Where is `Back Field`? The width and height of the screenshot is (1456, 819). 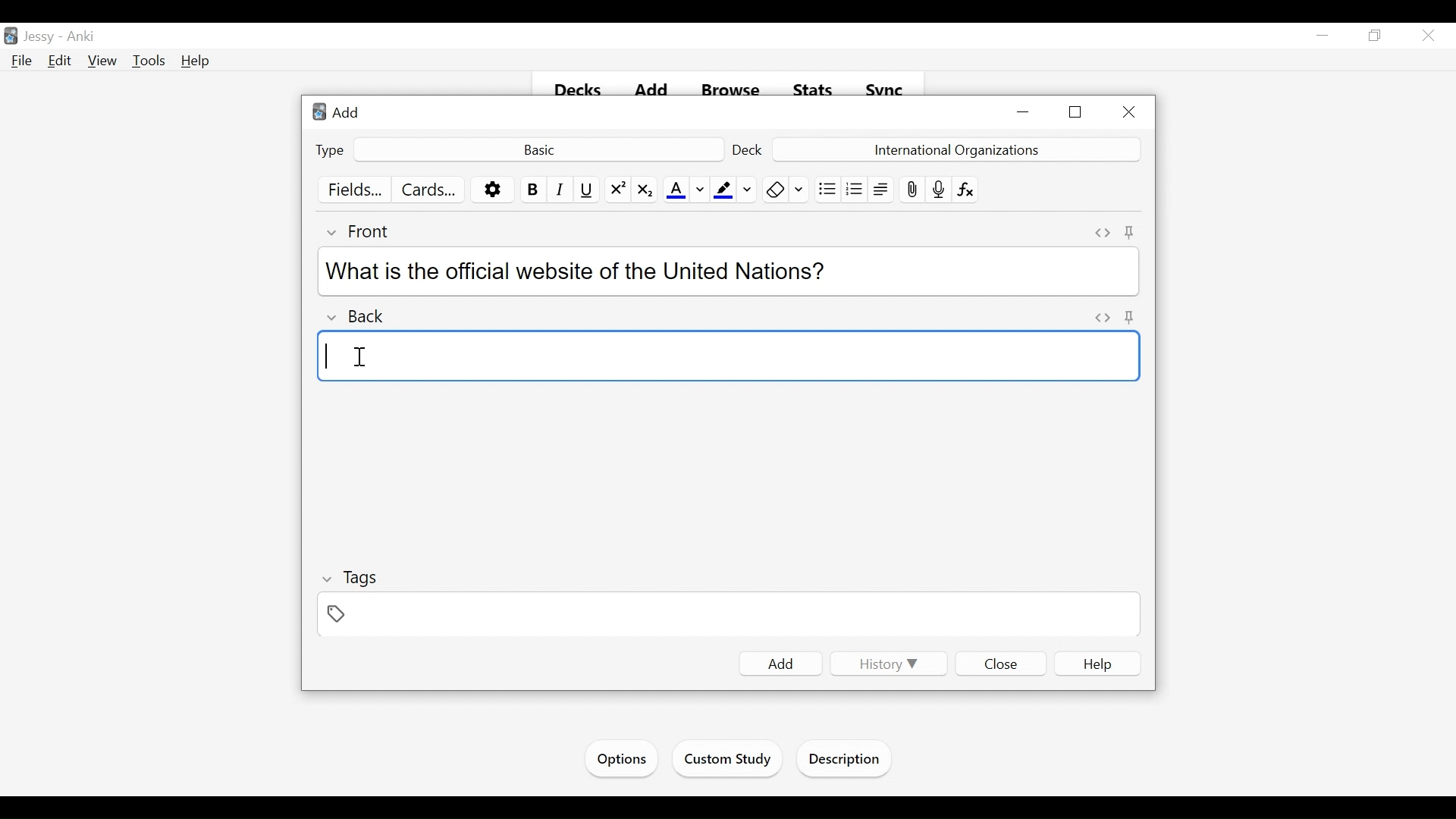 Back Field is located at coordinates (726, 358).